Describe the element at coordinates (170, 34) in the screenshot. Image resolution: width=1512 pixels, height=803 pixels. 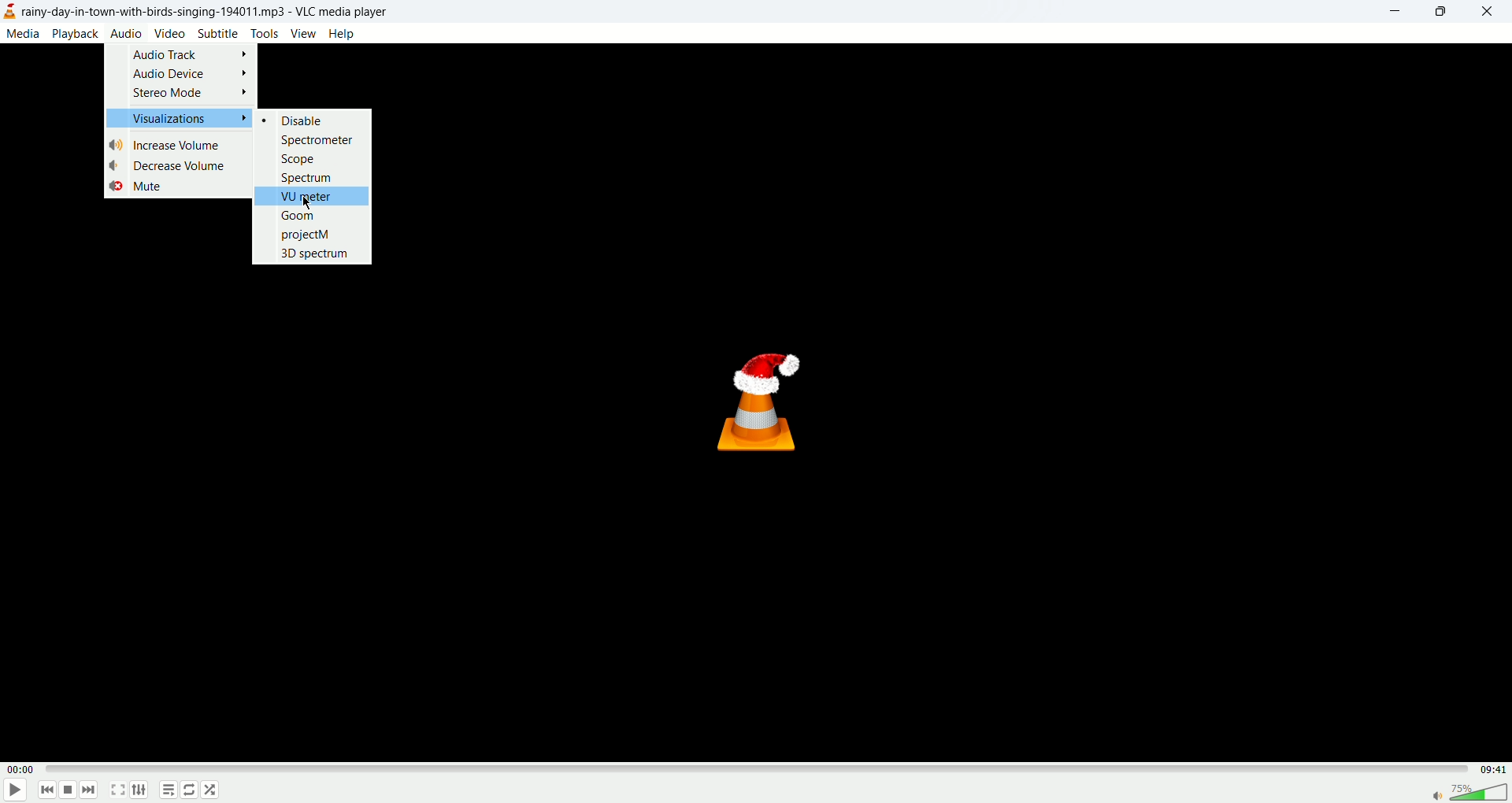
I see `video` at that location.